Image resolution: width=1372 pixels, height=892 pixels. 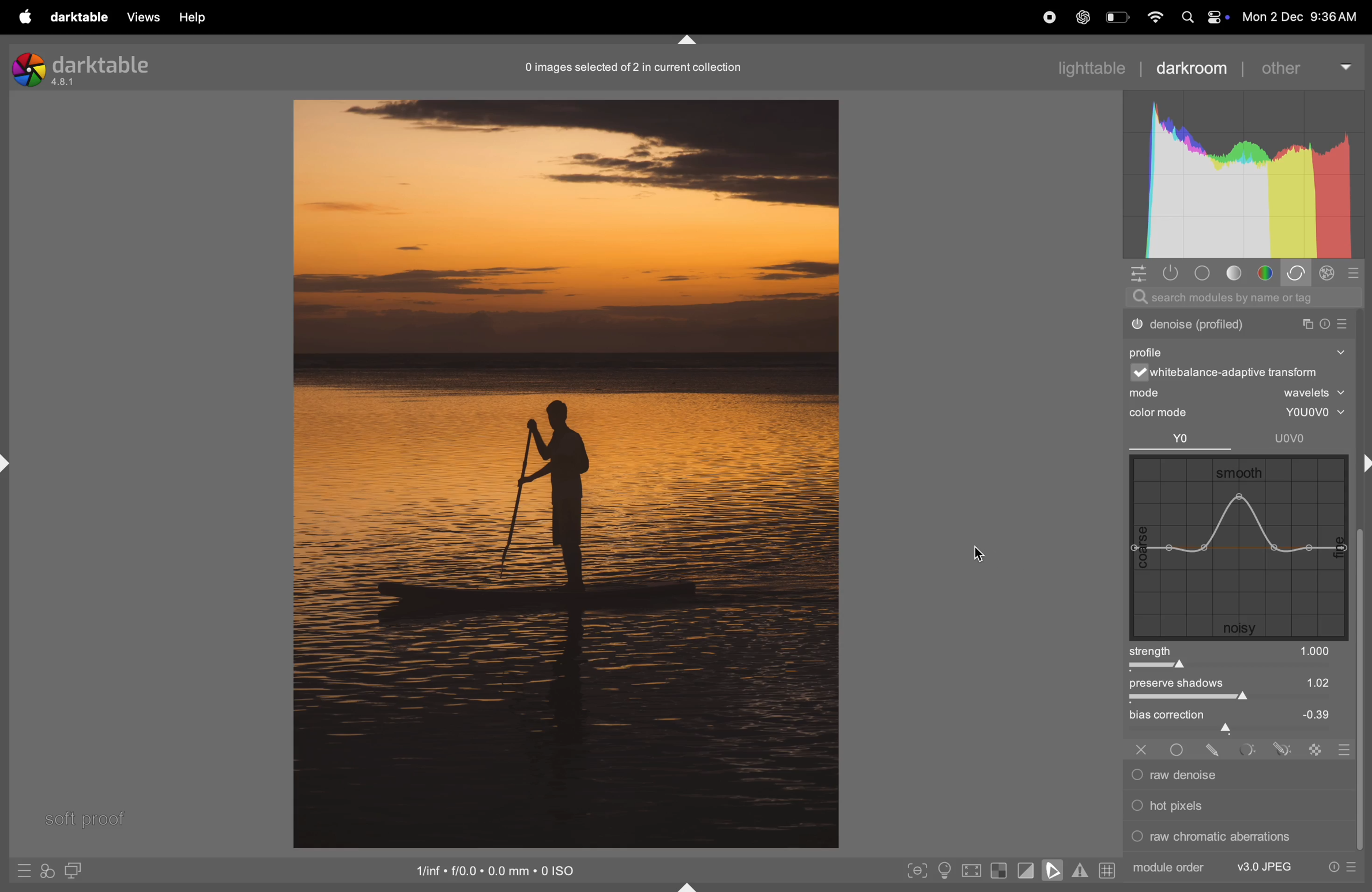 What do you see at coordinates (1043, 18) in the screenshot?
I see `record` at bounding box center [1043, 18].